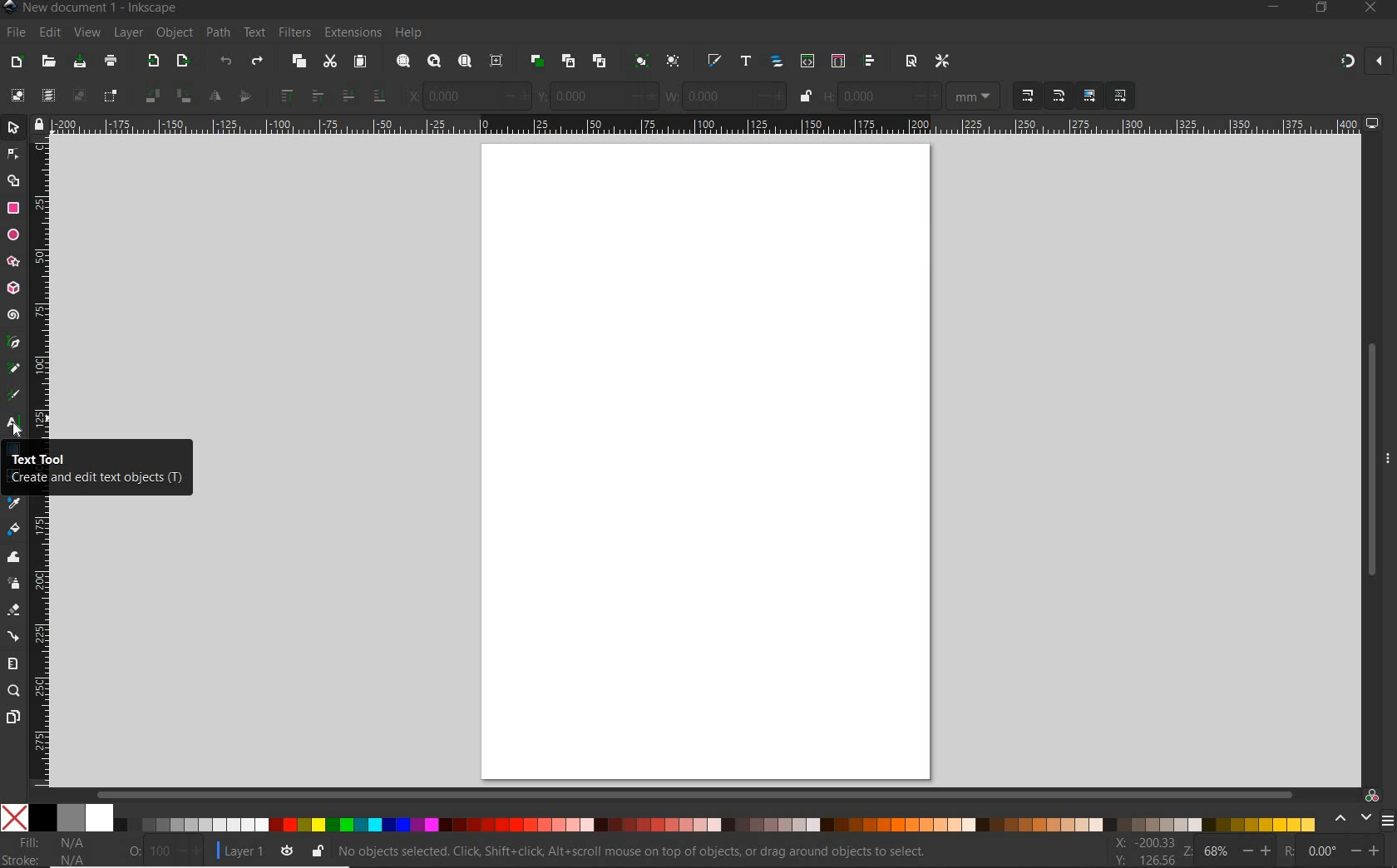 The width and height of the screenshot is (1397, 868). What do you see at coordinates (172, 33) in the screenshot?
I see `object` at bounding box center [172, 33].